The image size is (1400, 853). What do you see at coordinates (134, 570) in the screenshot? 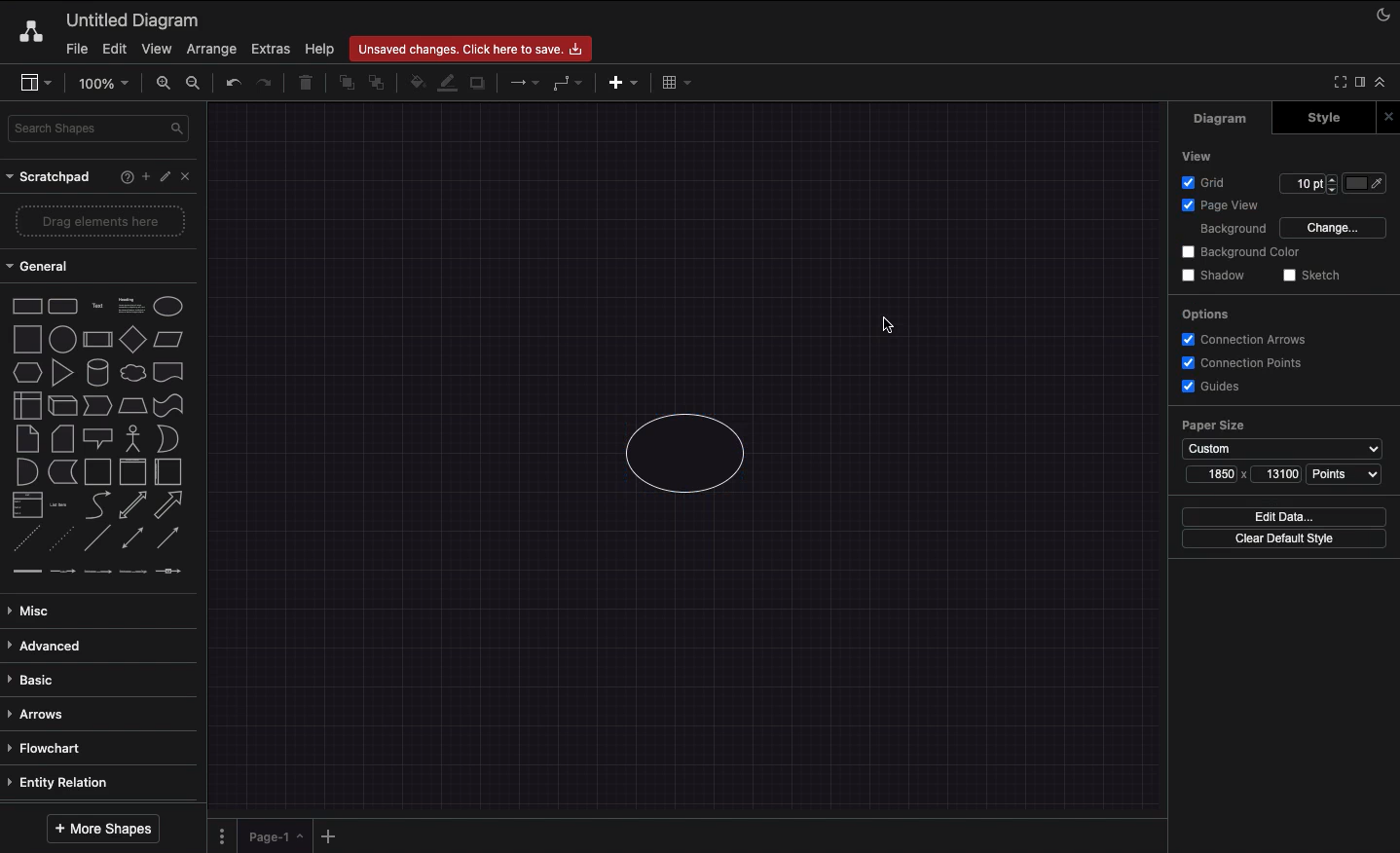
I see `connector 4` at bounding box center [134, 570].